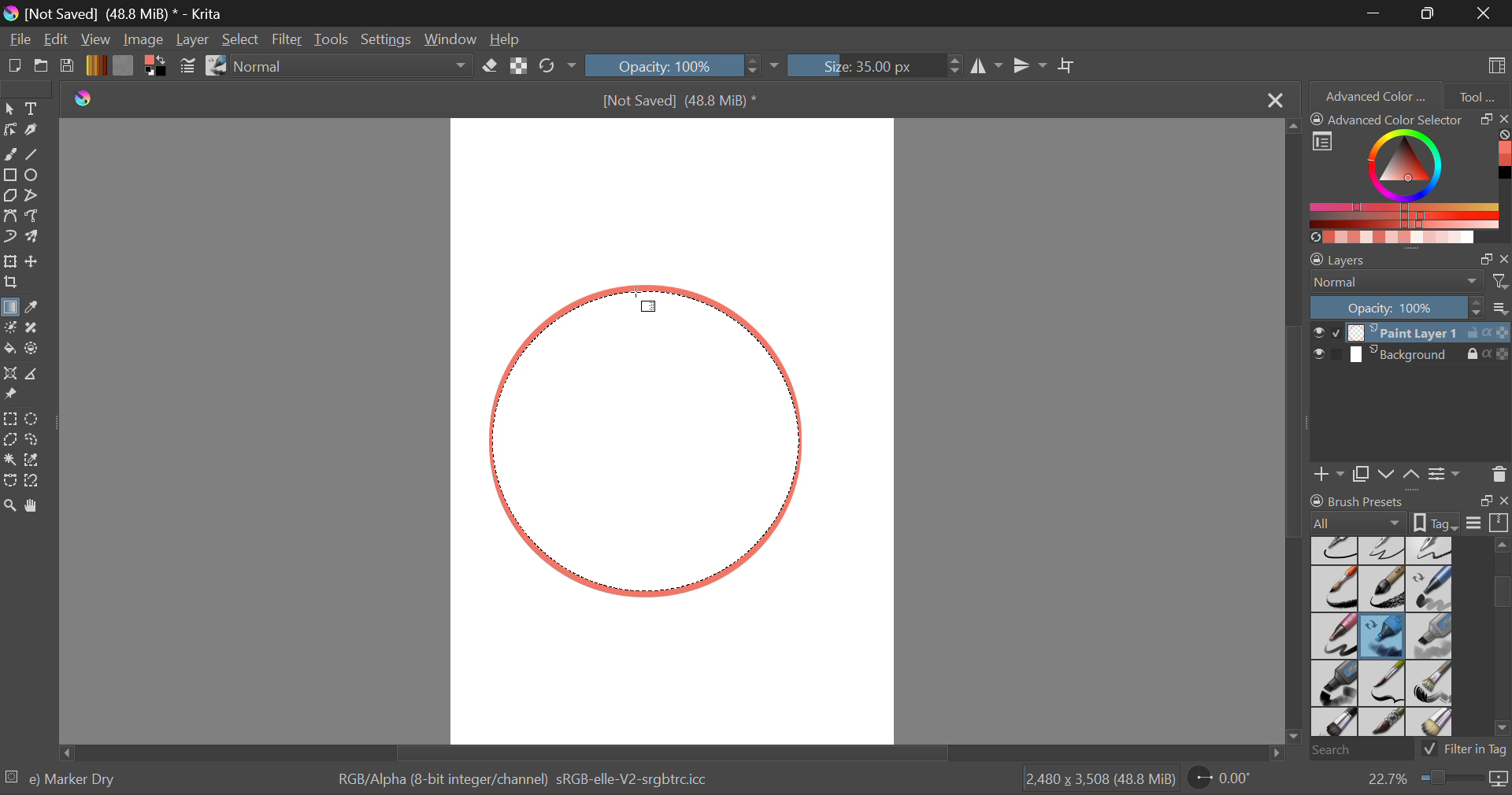  Describe the element at coordinates (192, 39) in the screenshot. I see `Layer` at that location.